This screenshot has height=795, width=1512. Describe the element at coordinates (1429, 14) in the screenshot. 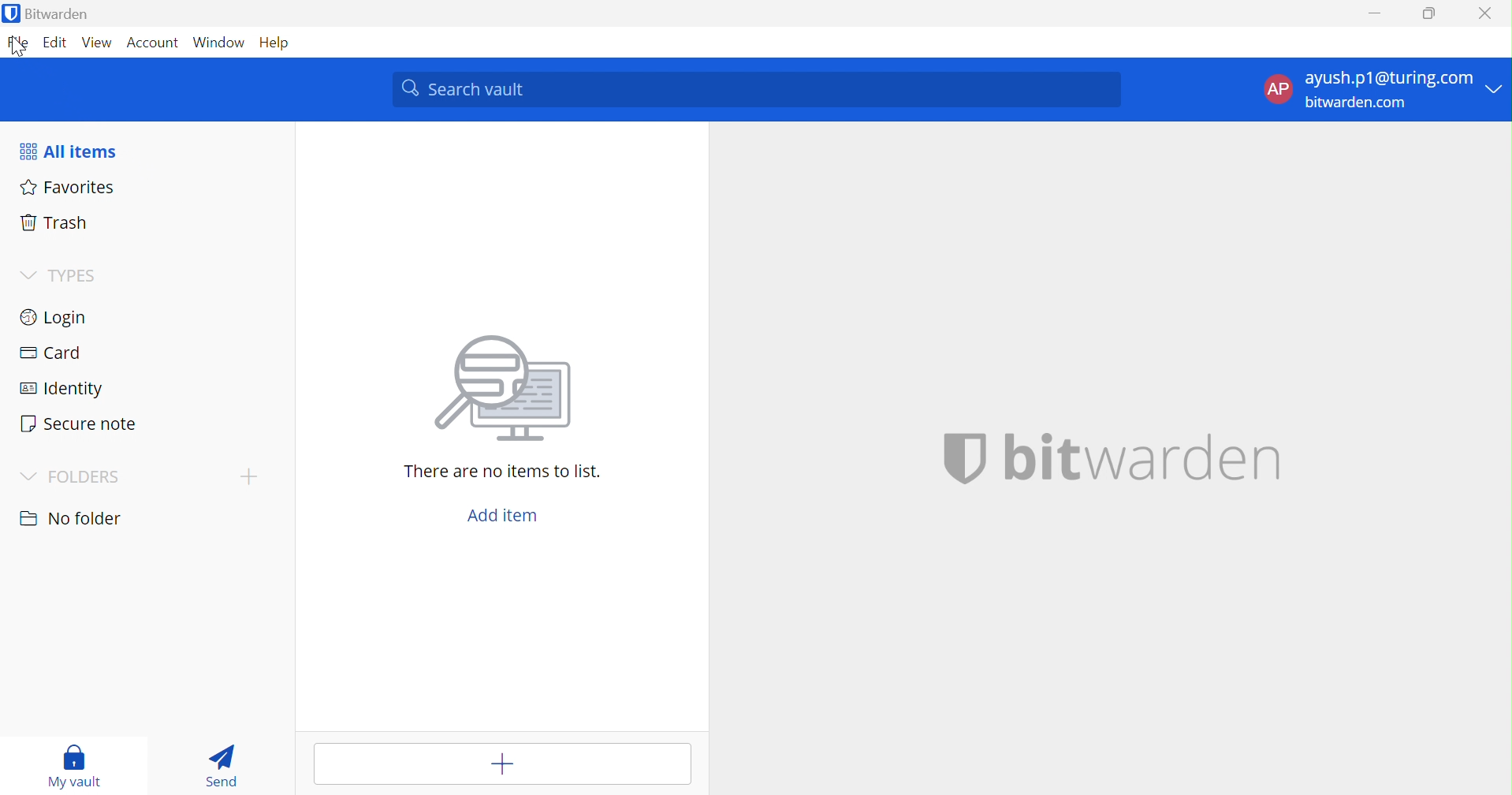

I see `Restore Down` at that location.